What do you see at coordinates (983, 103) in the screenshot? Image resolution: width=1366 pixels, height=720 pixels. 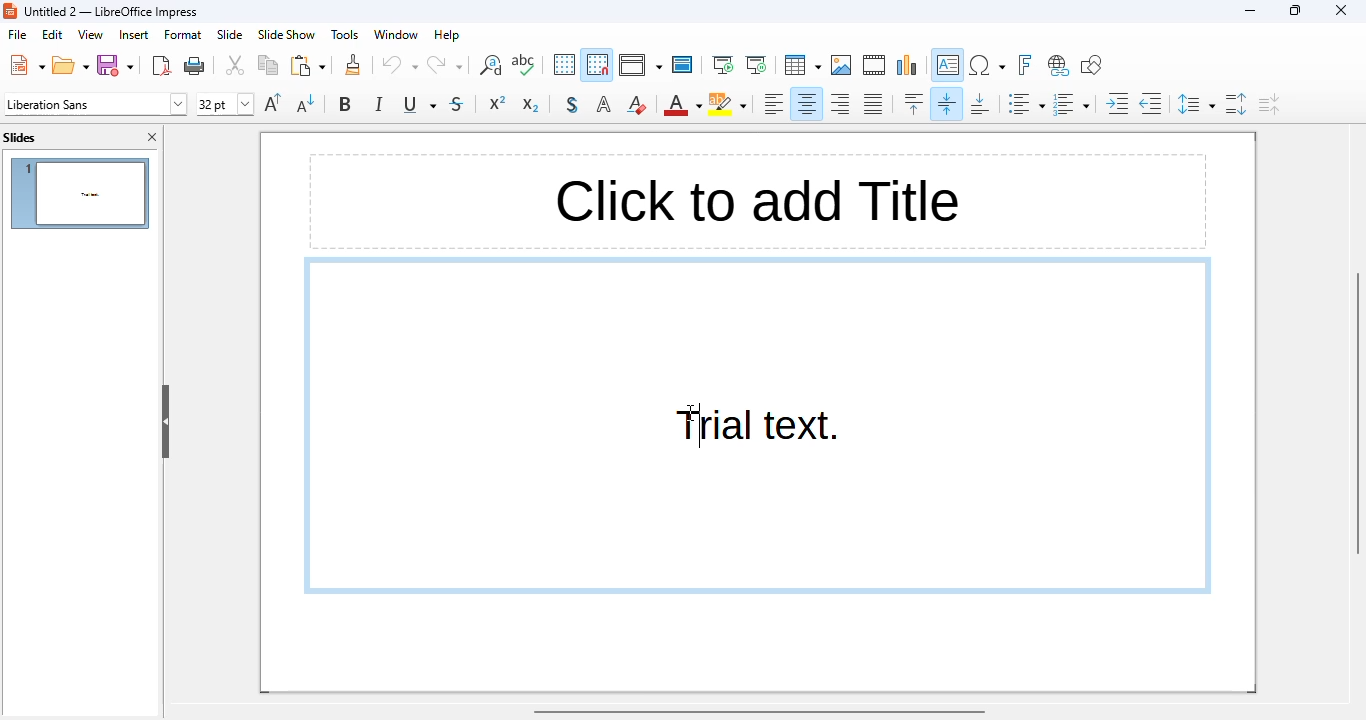 I see `align bottom` at bounding box center [983, 103].